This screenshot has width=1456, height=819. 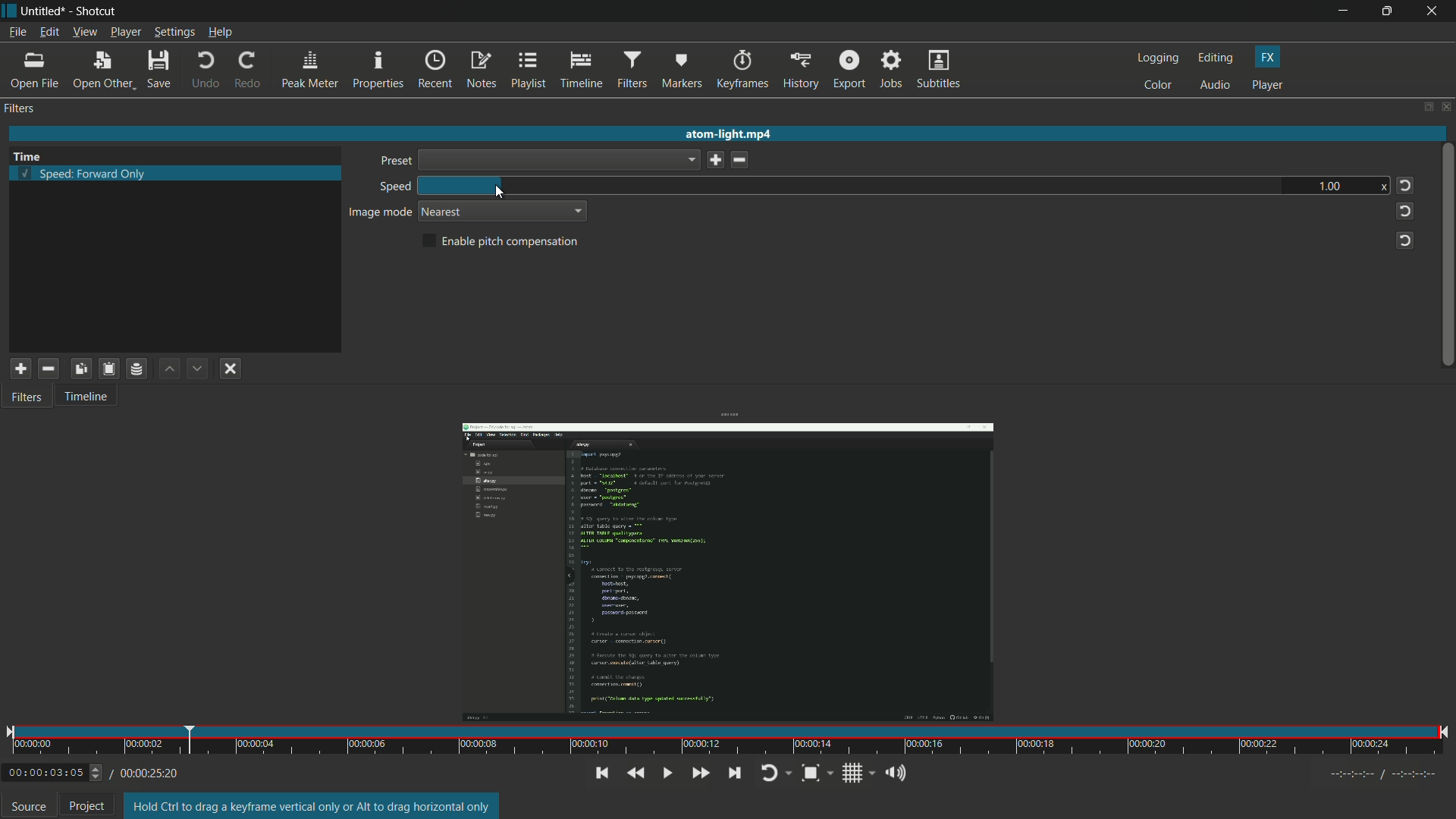 I want to click on color, so click(x=1159, y=86).